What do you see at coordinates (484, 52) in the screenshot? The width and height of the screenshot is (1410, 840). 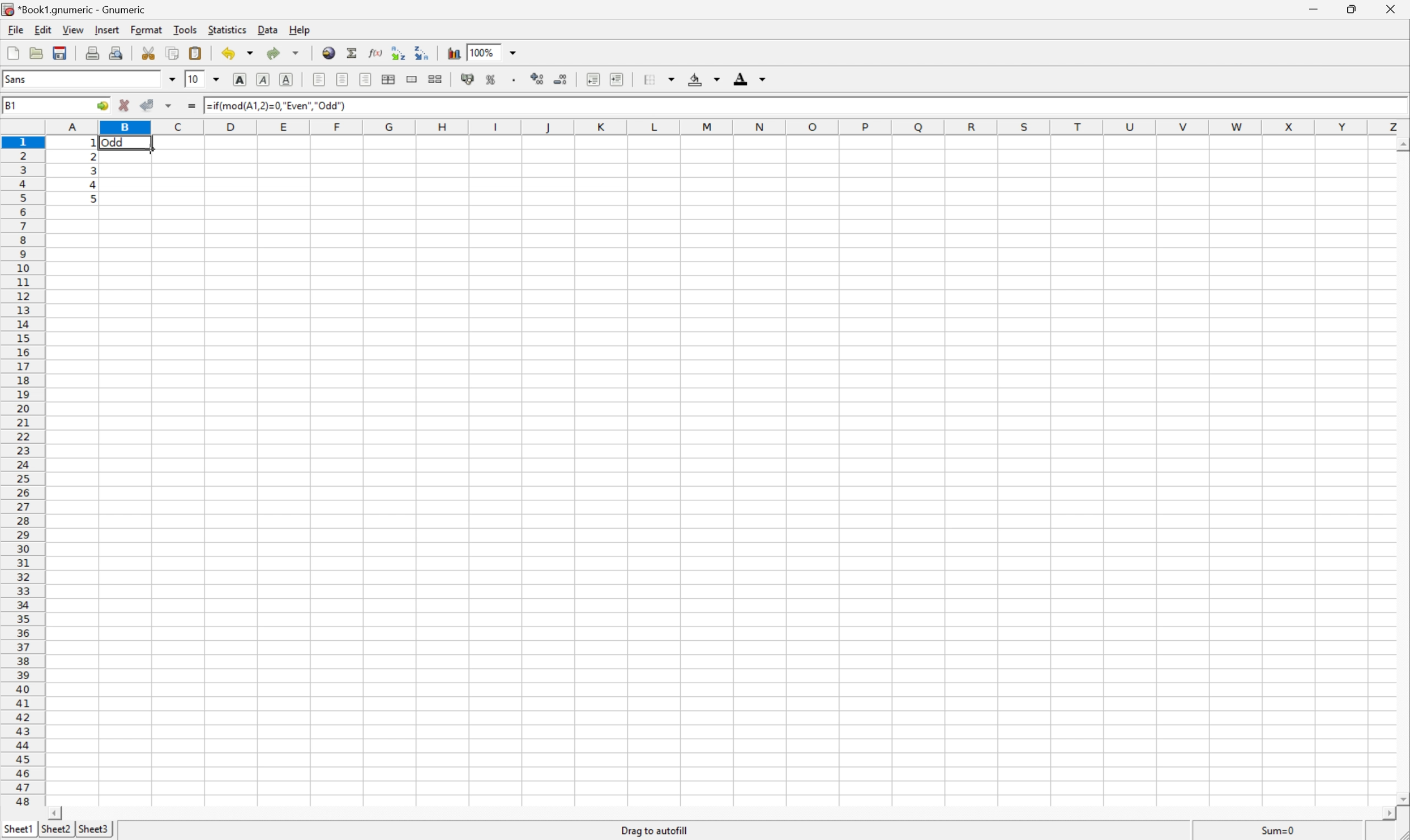 I see `100%` at bounding box center [484, 52].